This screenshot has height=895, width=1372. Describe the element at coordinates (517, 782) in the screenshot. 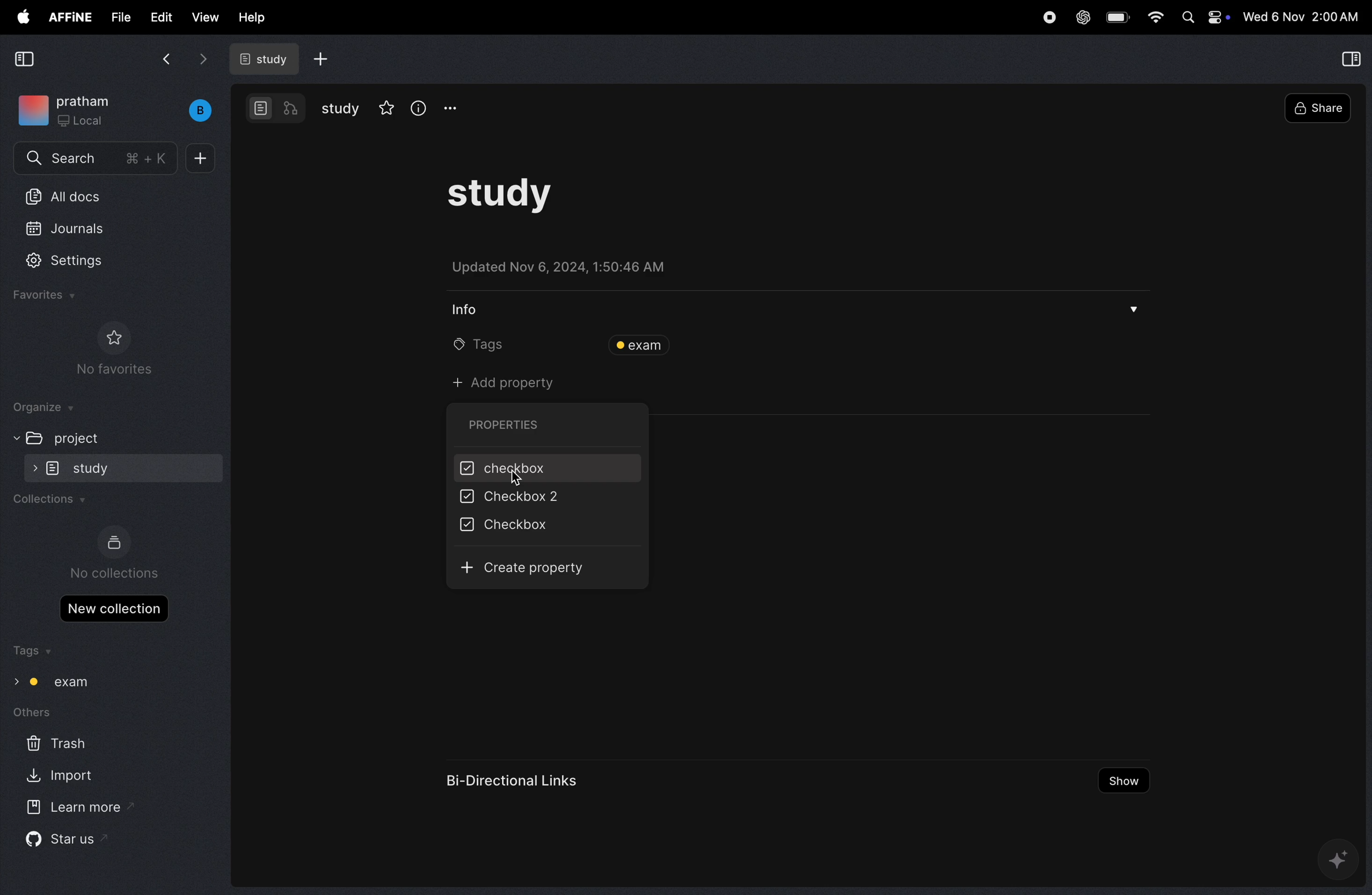

I see `bi directional links` at that location.